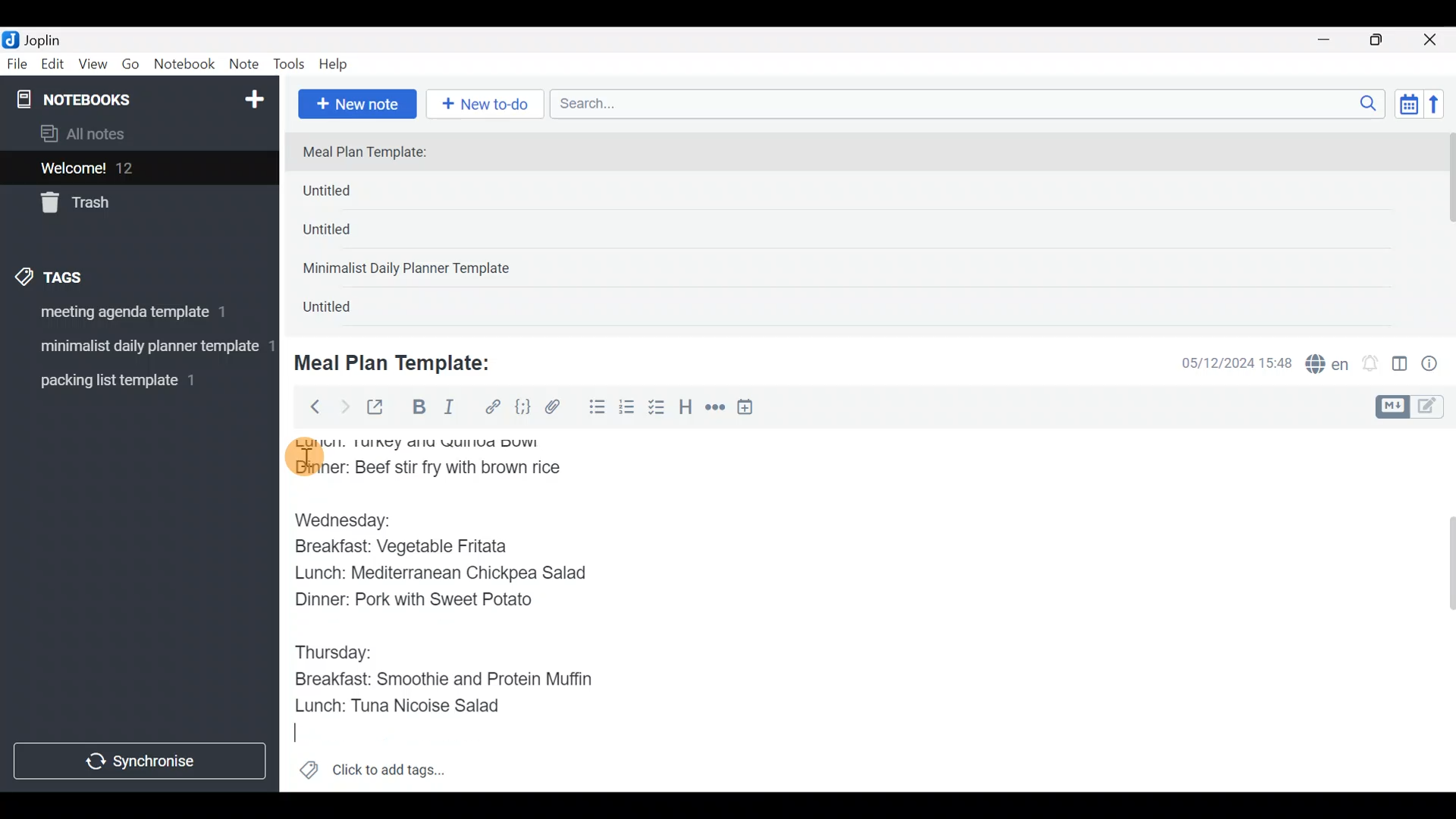 This screenshot has height=819, width=1456. Describe the element at coordinates (1440, 610) in the screenshot. I see `Scroll bar` at that location.